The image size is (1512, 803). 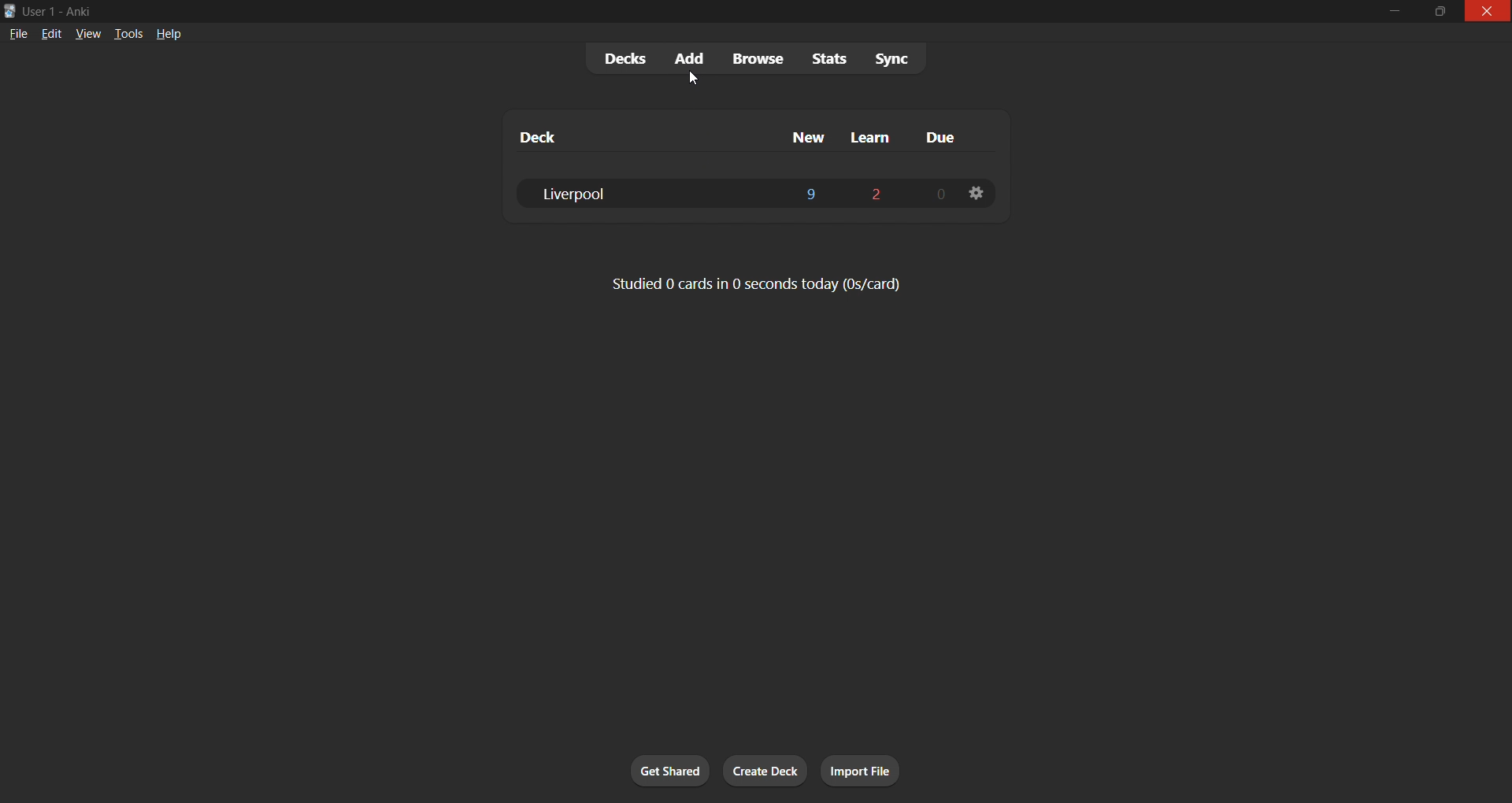 I want to click on view, so click(x=89, y=35).